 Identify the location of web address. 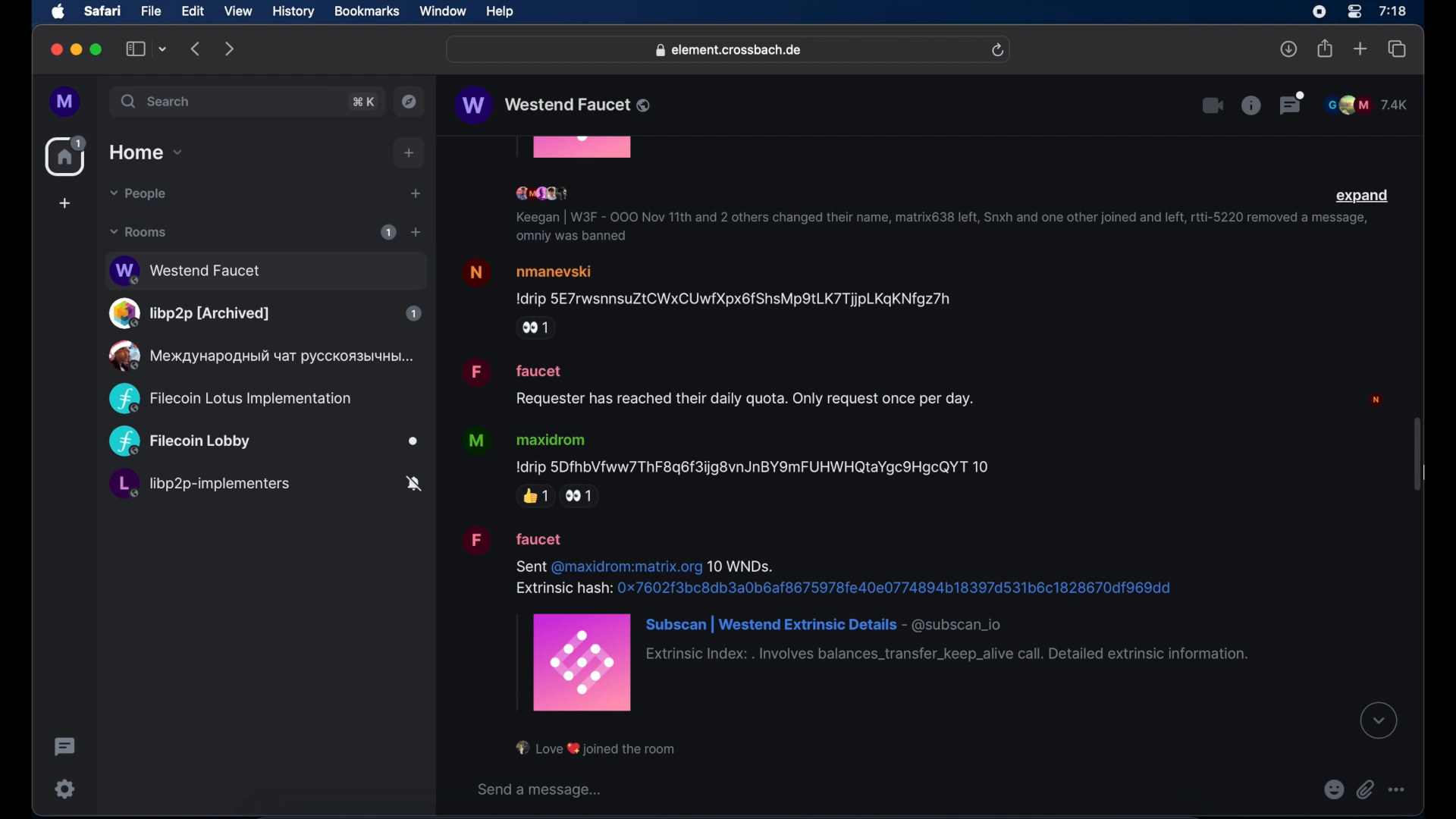
(730, 51).